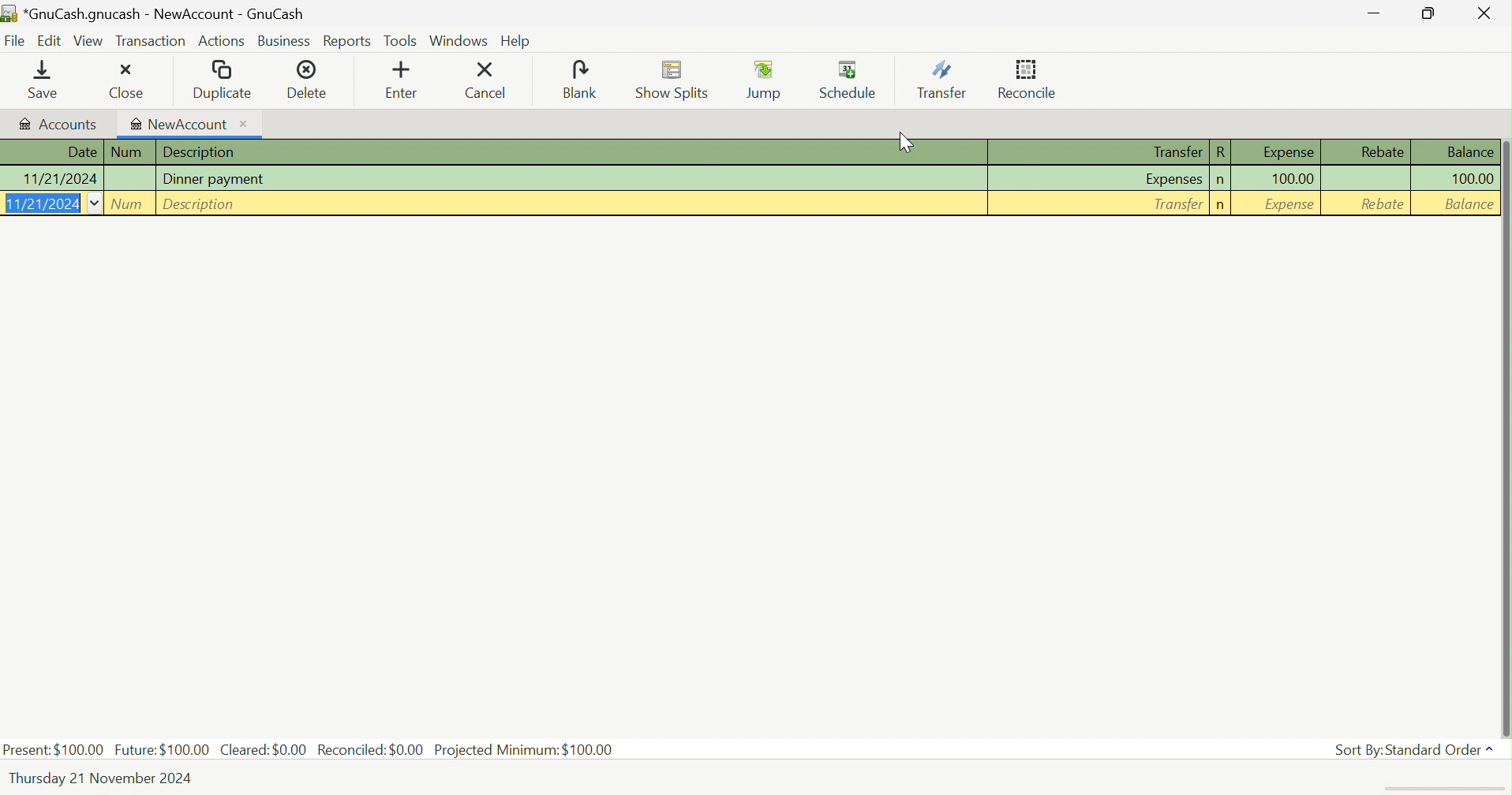 This screenshot has height=795, width=1512. I want to click on Jump, so click(764, 79).